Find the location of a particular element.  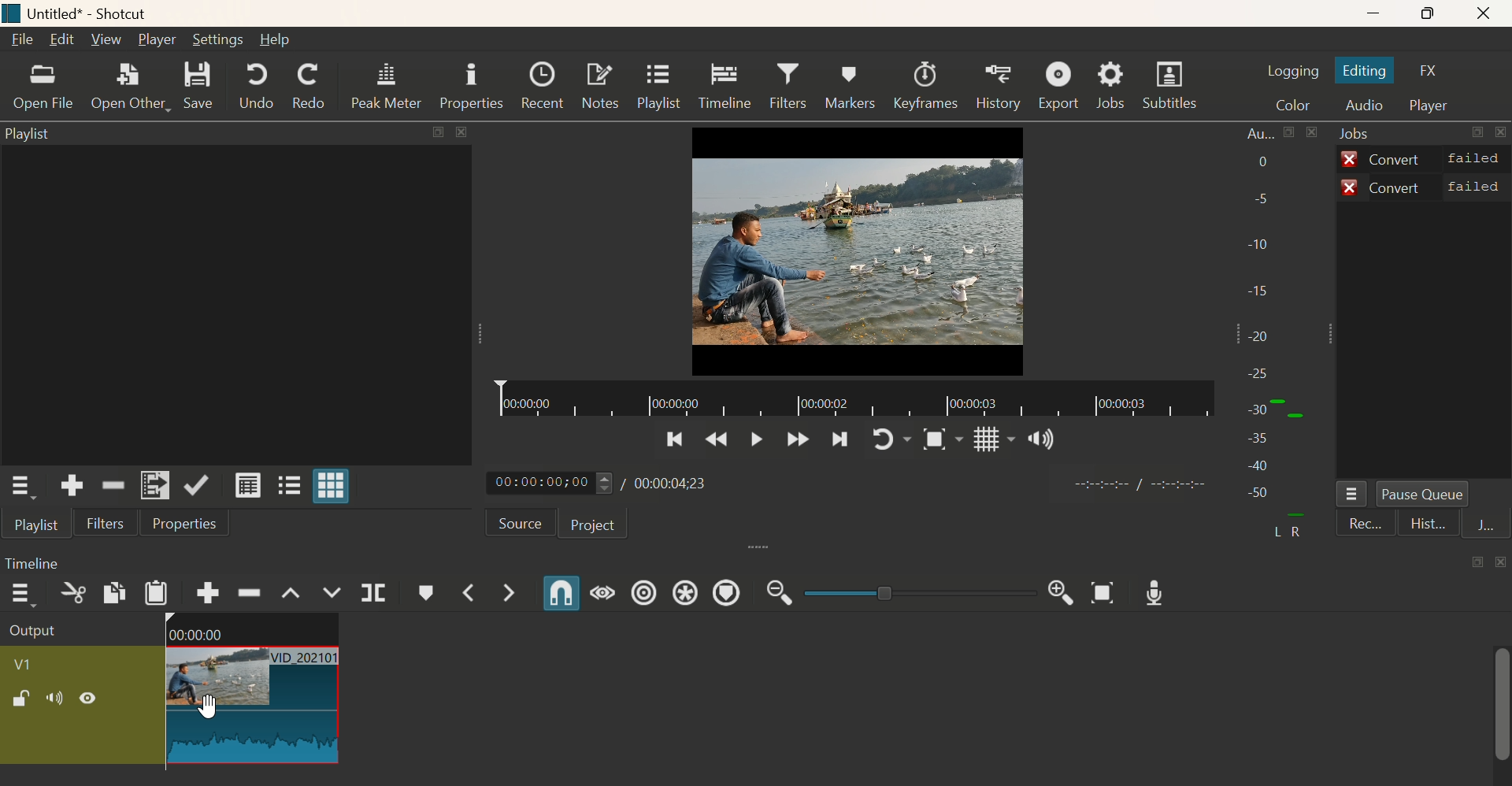

 is located at coordinates (600, 525).